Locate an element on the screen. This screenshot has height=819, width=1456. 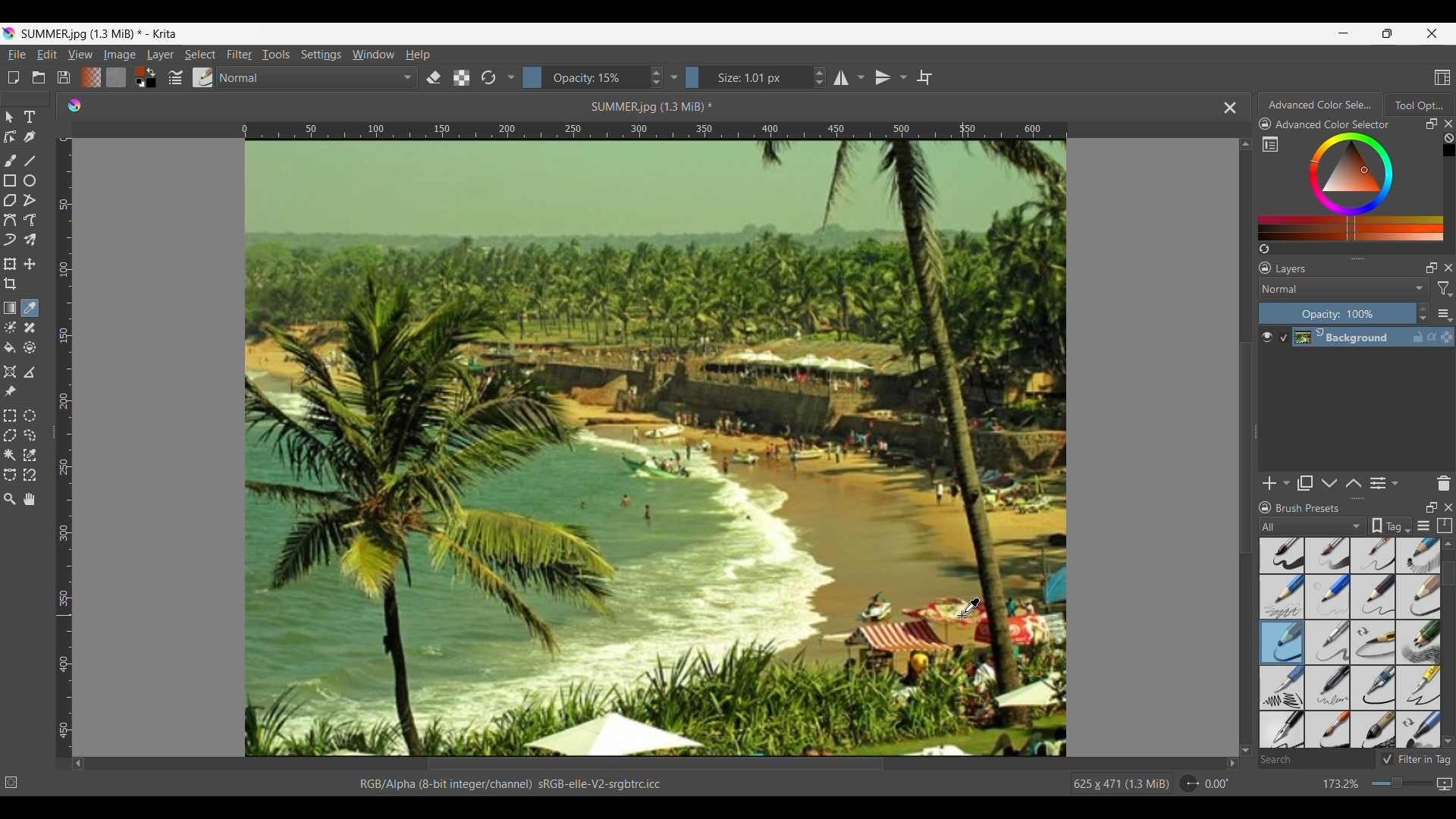
Measure the distance between two points is located at coordinates (30, 373).